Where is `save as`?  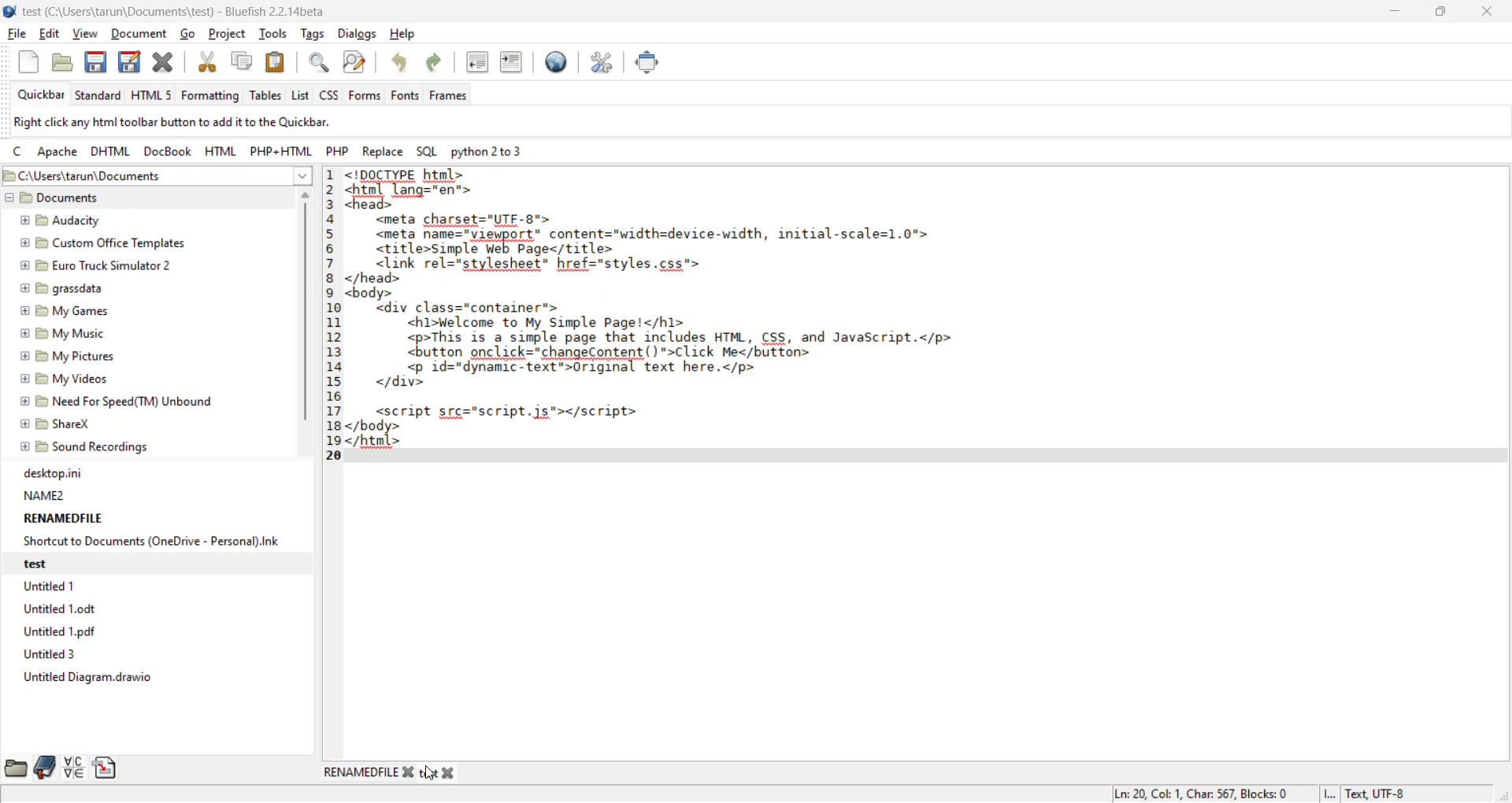
save as is located at coordinates (132, 64).